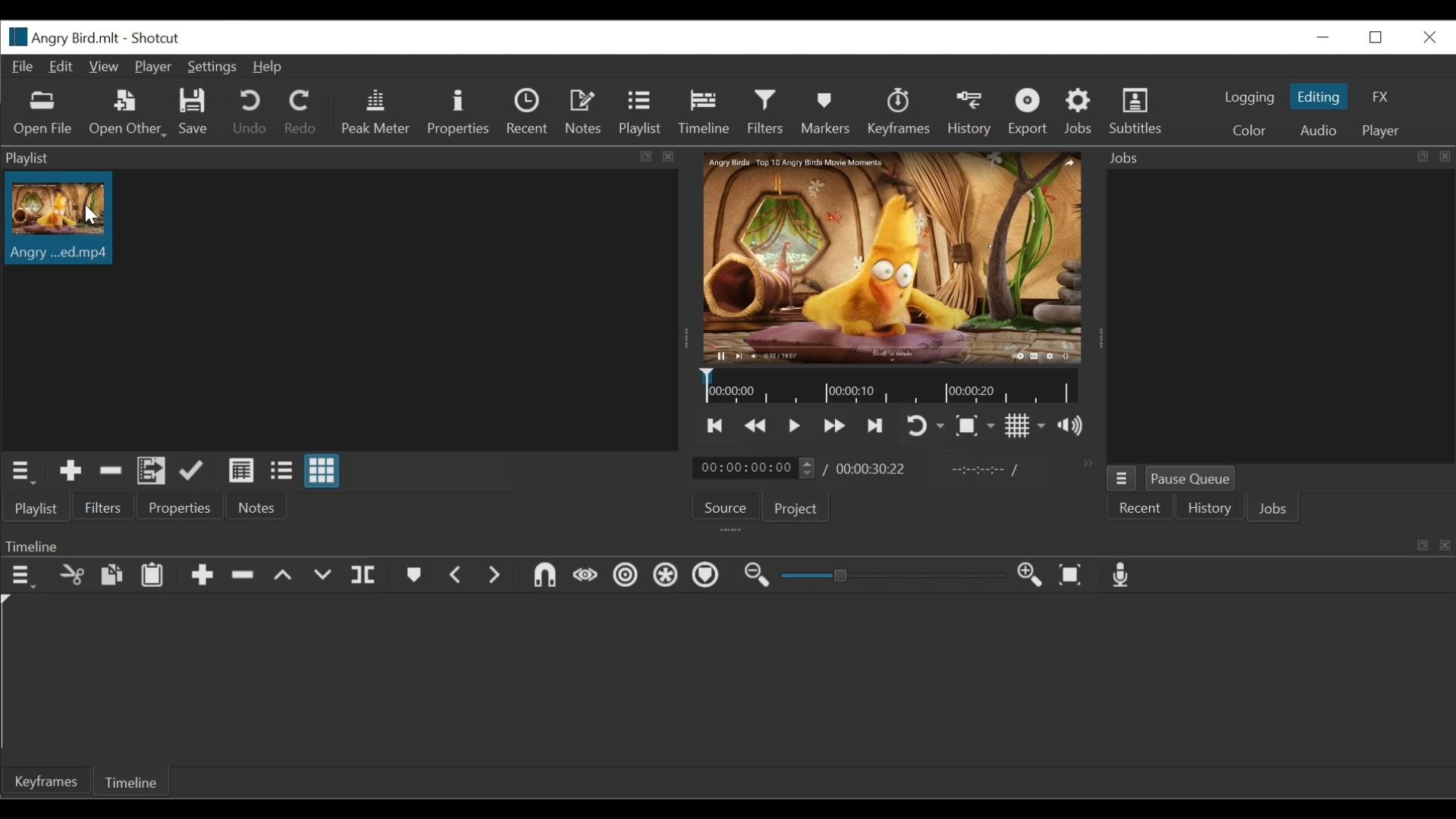 The height and width of the screenshot is (819, 1456). I want to click on Jobs Panel, so click(1275, 158).